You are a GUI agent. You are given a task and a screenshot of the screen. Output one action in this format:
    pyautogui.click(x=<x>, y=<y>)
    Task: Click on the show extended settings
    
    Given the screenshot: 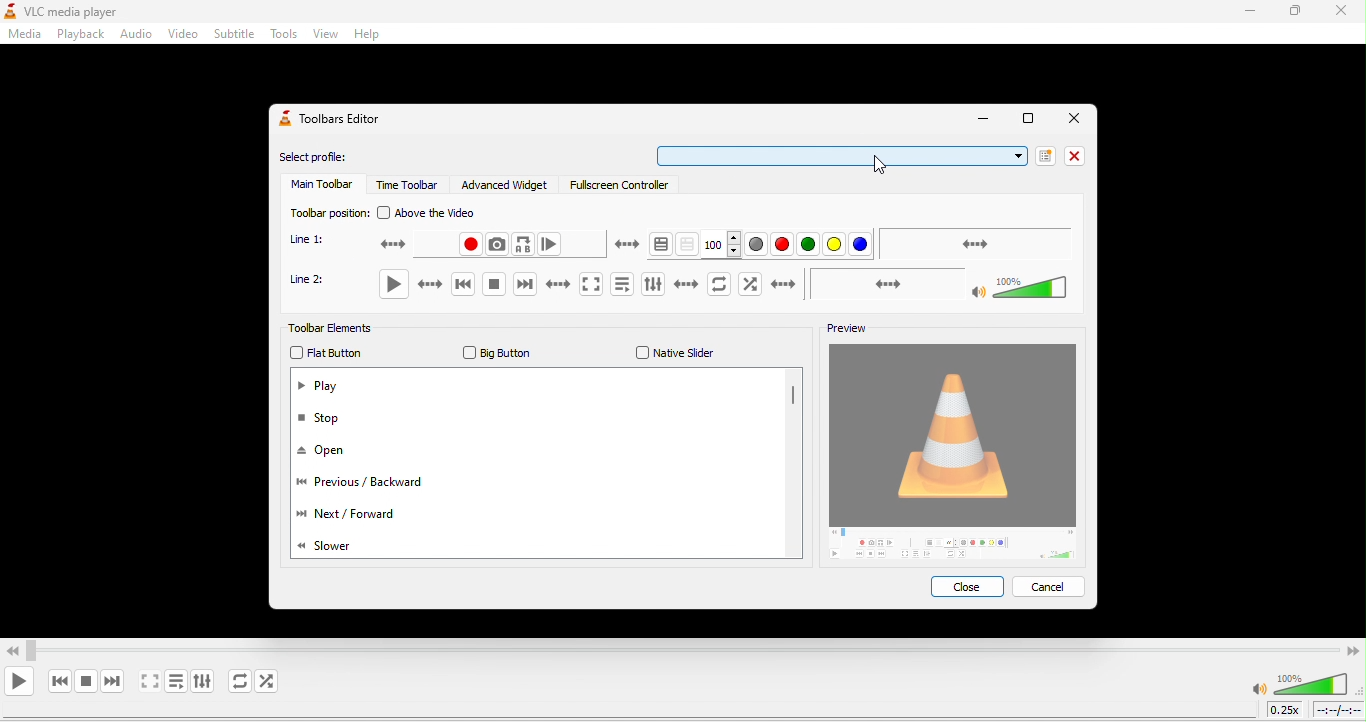 What is the action you would take?
    pyautogui.click(x=203, y=684)
    